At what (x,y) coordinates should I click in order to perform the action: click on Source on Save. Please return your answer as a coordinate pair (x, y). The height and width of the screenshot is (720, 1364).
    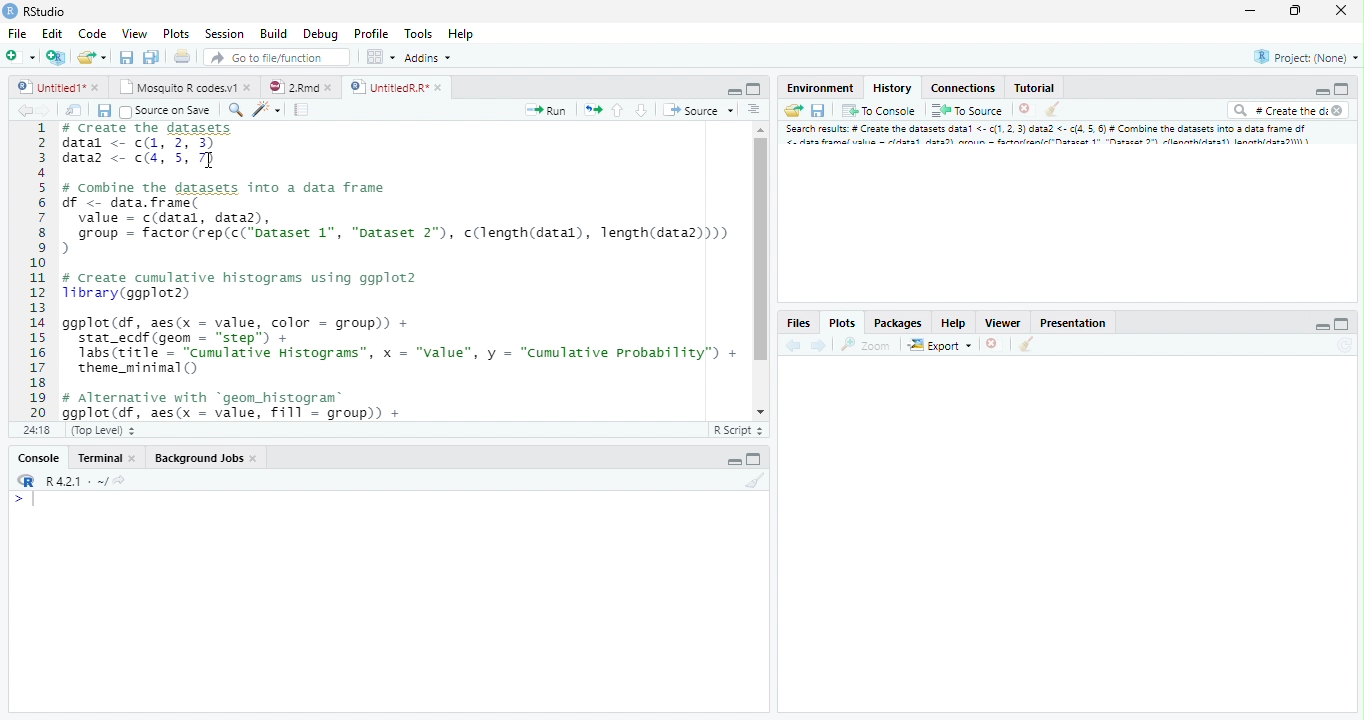
    Looking at the image, I should click on (165, 112).